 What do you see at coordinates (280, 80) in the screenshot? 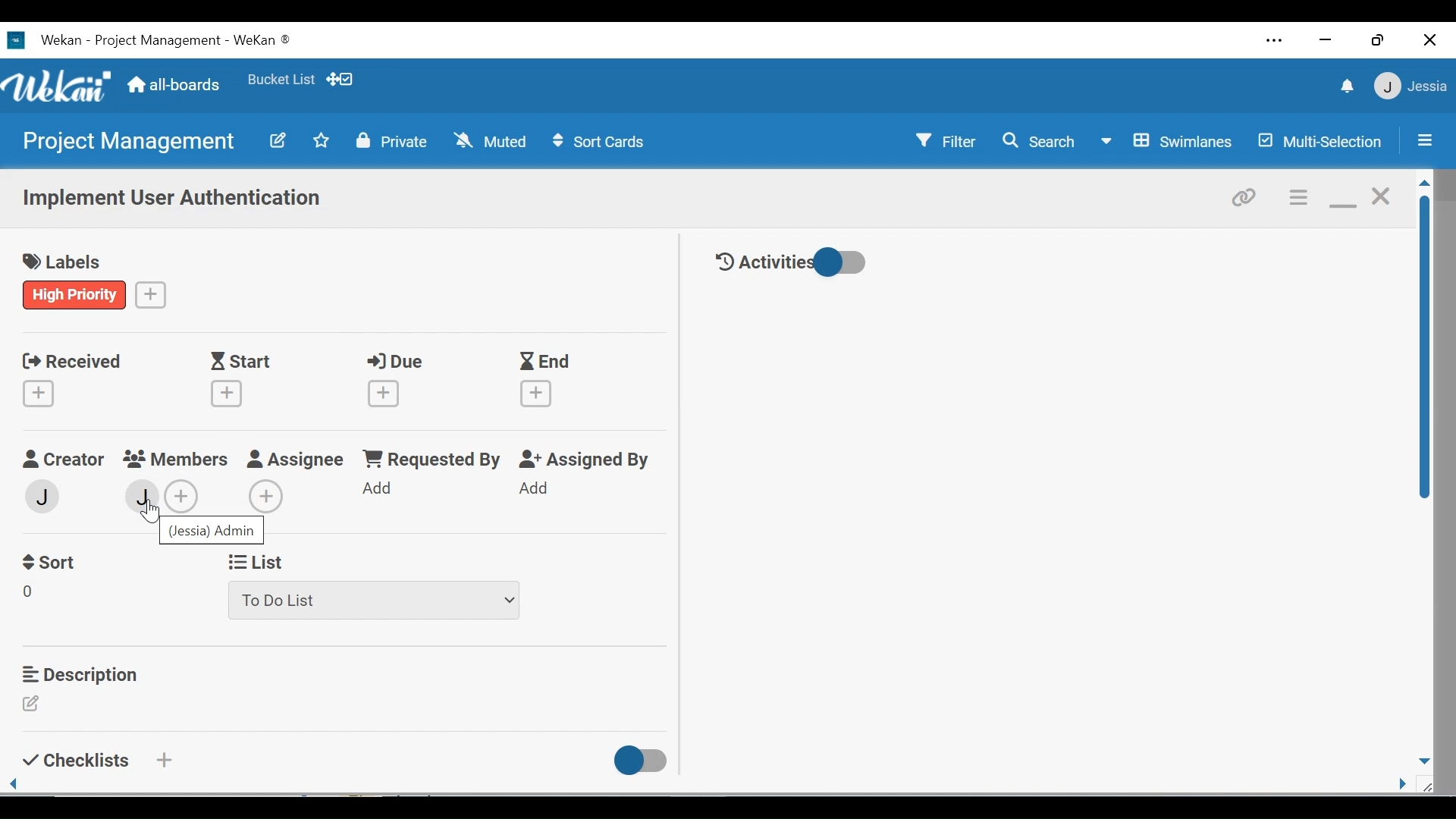
I see `Favorites` at bounding box center [280, 80].